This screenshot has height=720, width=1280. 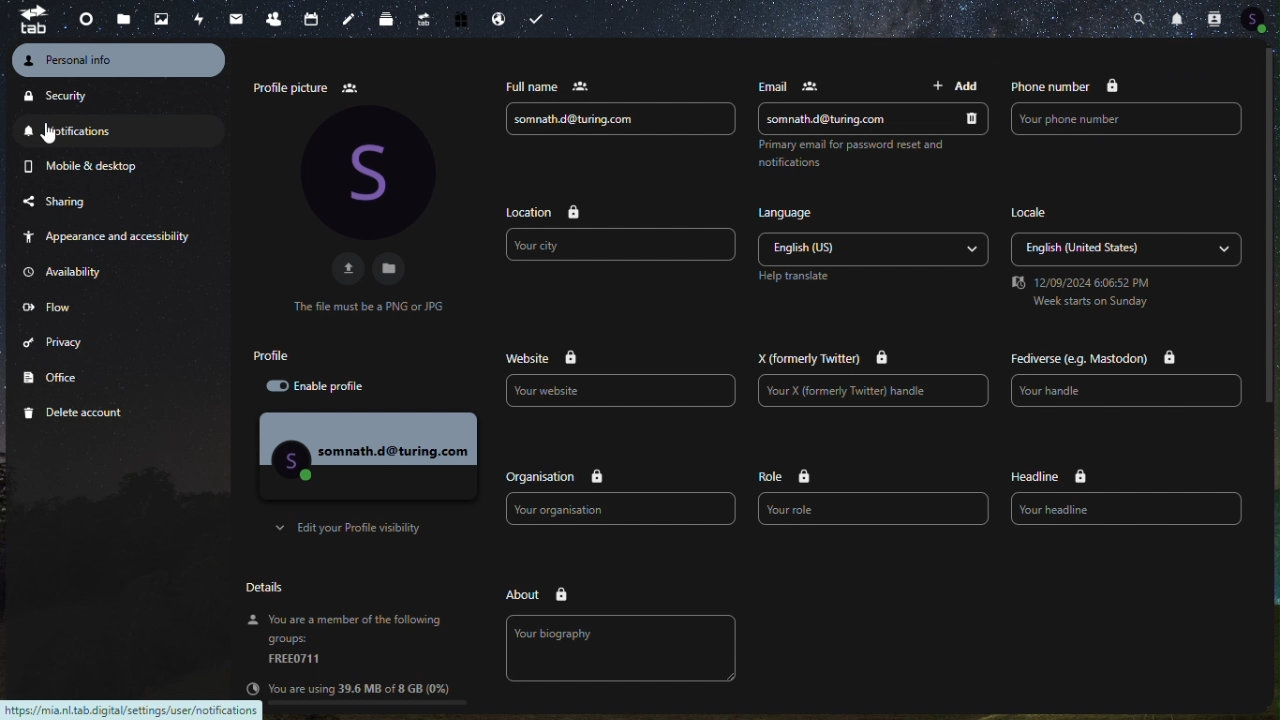 What do you see at coordinates (797, 277) in the screenshot?
I see `Help translate` at bounding box center [797, 277].